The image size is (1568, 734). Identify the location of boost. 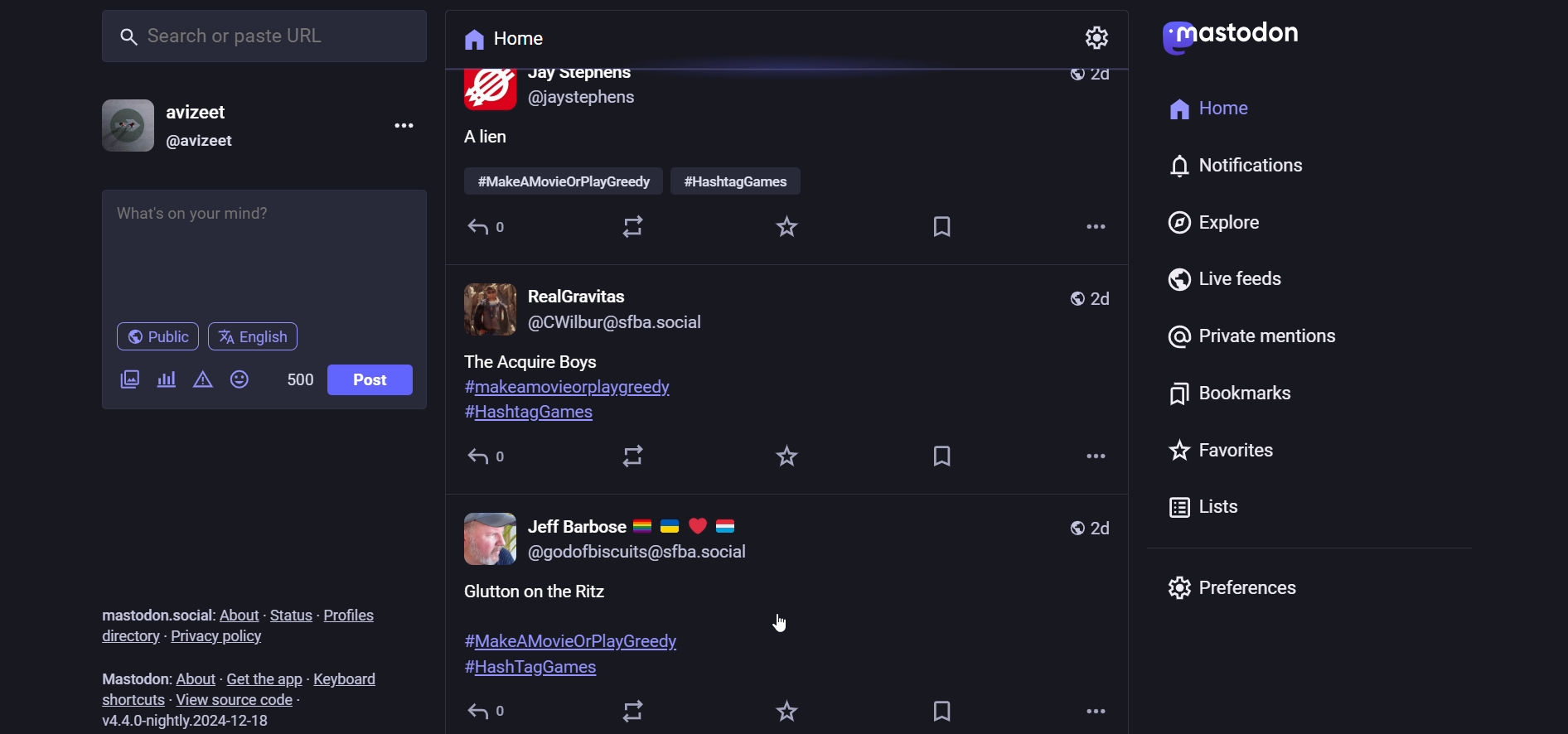
(633, 712).